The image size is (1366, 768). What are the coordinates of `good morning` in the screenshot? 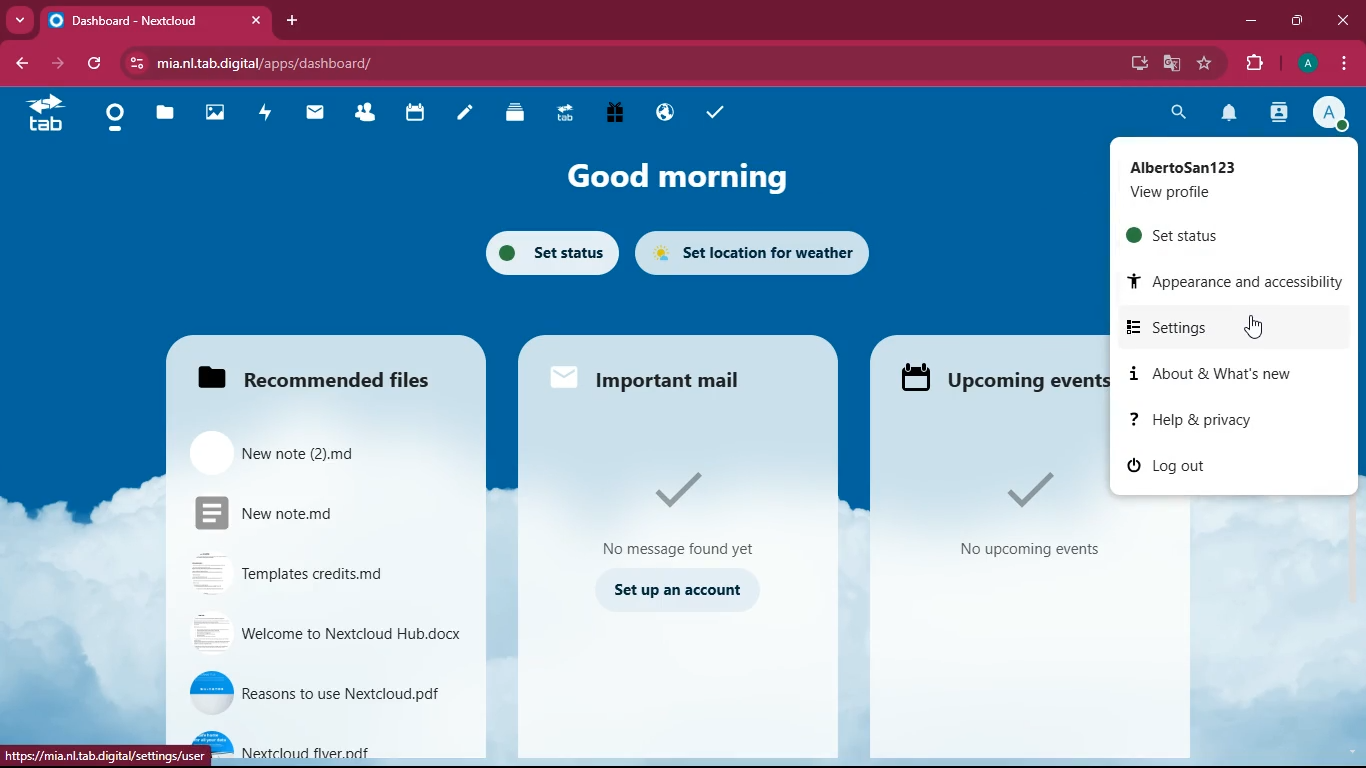 It's located at (686, 175).